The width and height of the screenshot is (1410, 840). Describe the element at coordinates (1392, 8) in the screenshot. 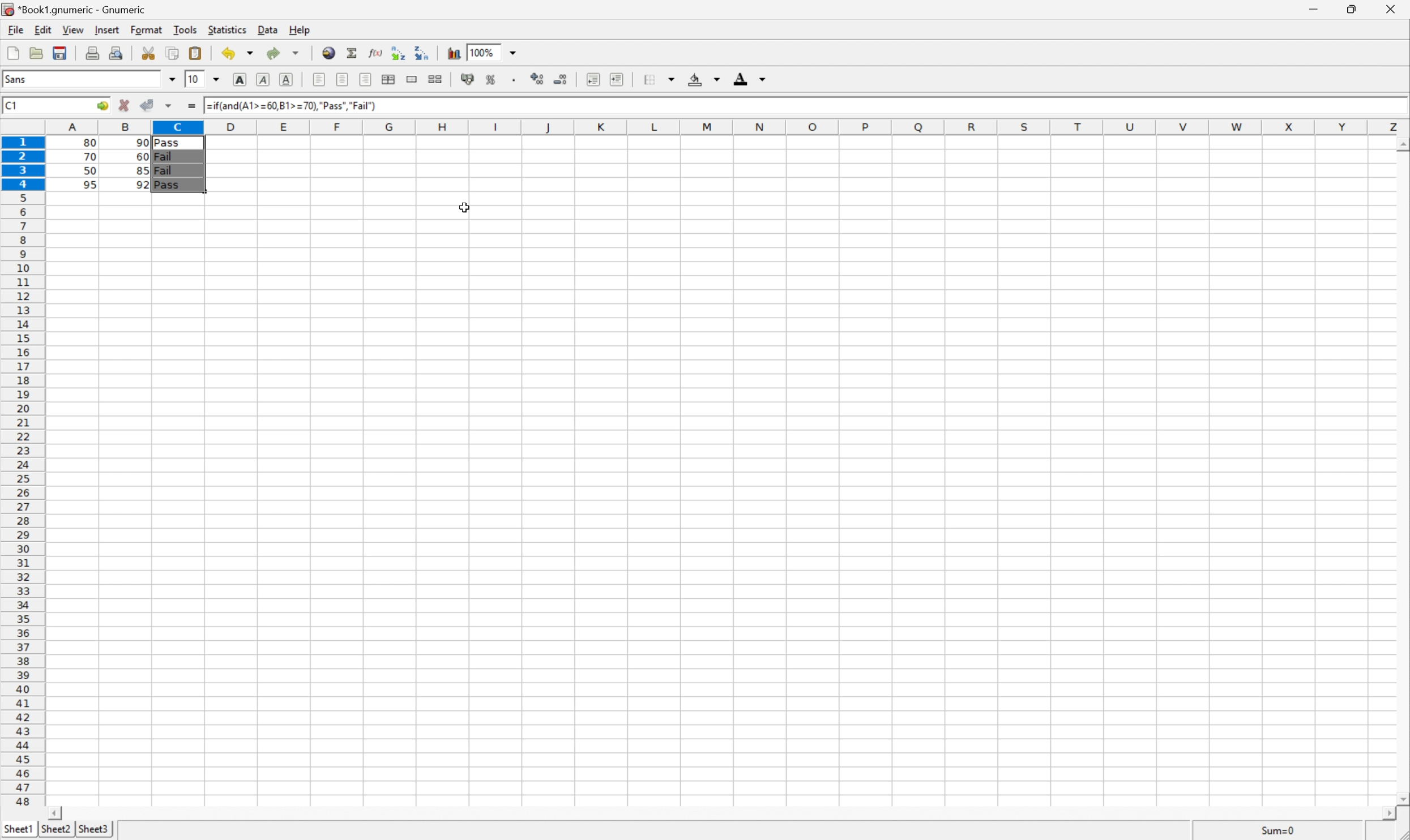

I see `Close` at that location.